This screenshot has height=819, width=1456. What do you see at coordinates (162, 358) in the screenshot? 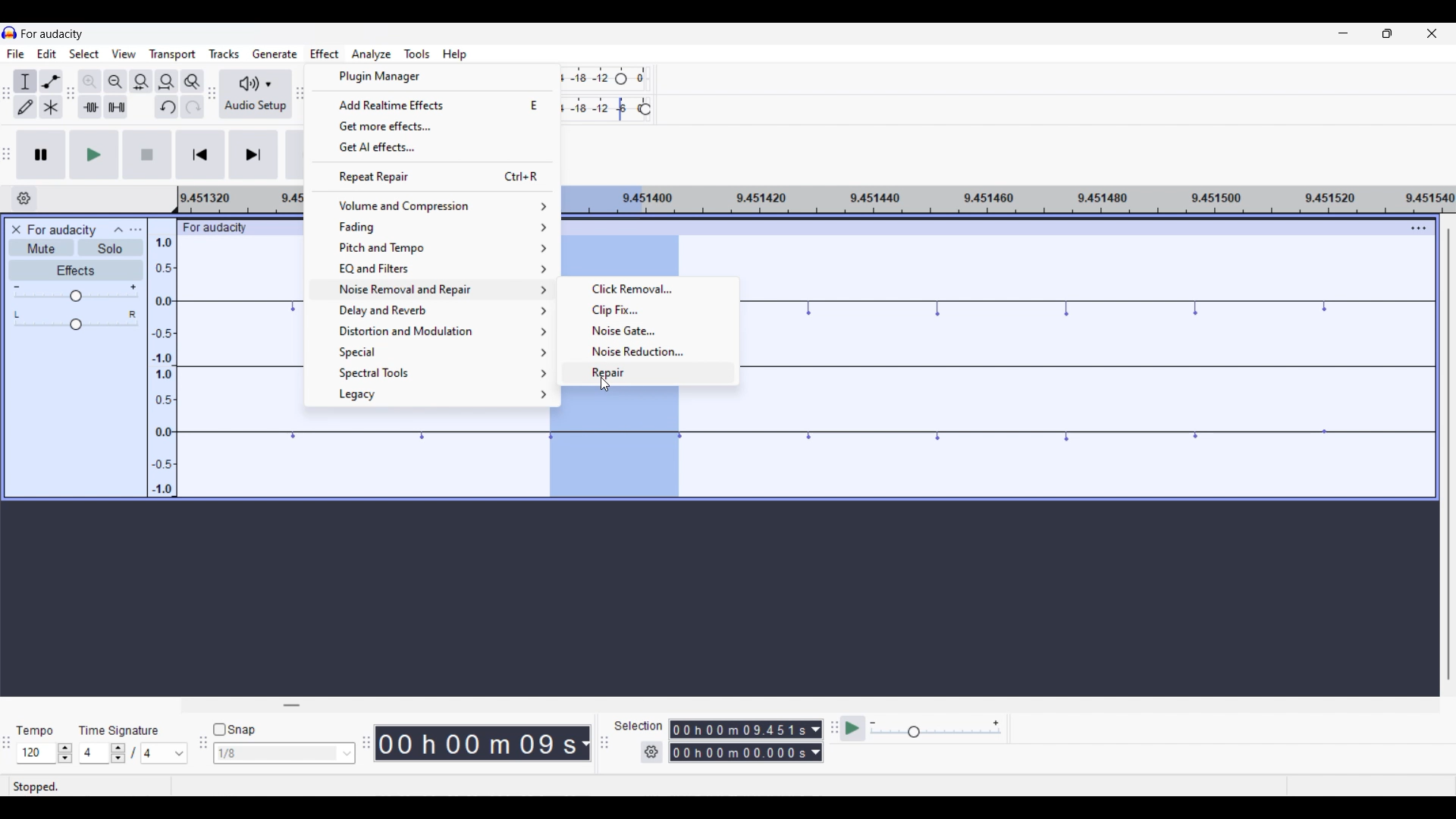
I see `Scale to measure track intensity` at bounding box center [162, 358].